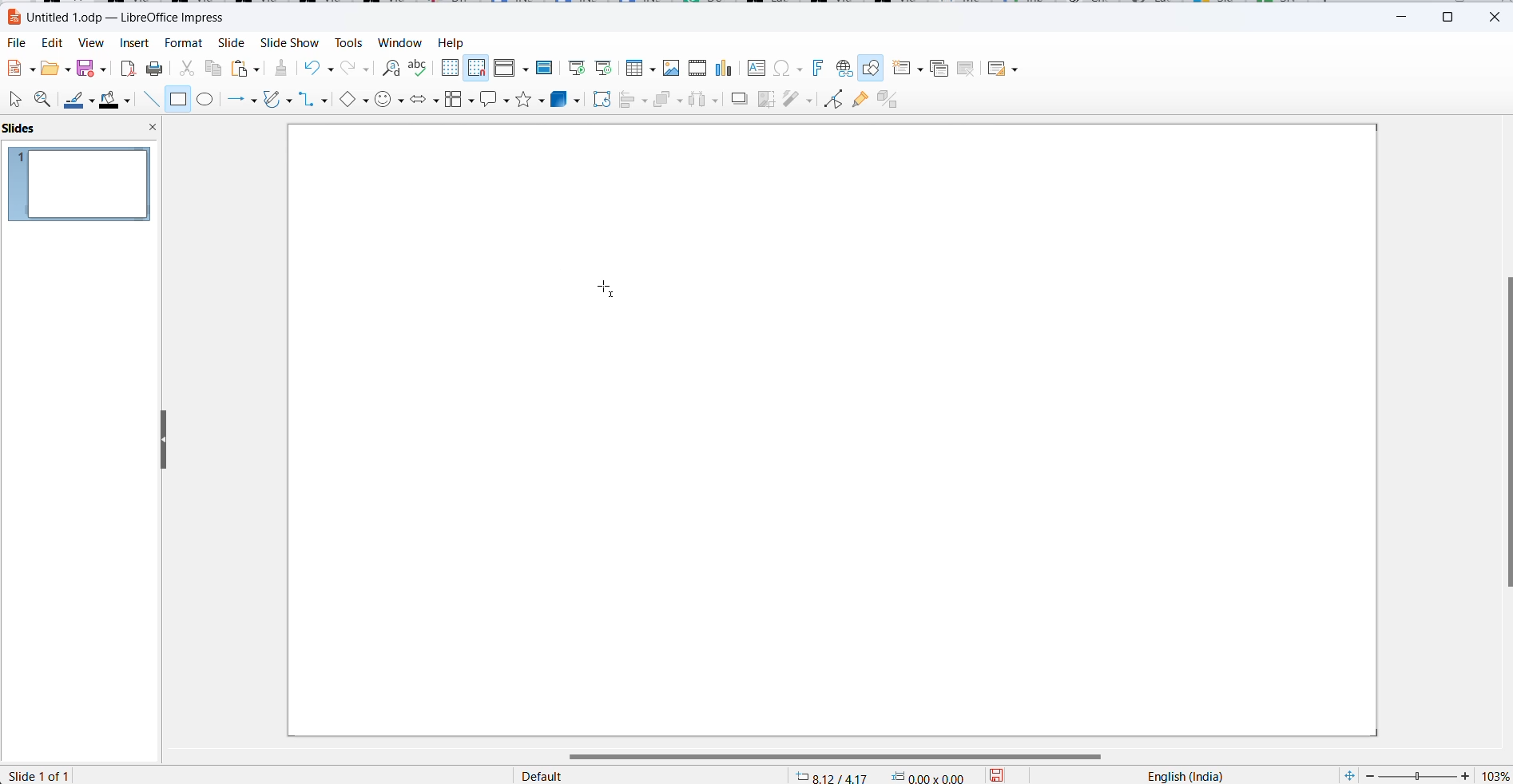 This screenshot has width=1513, height=784. Describe the element at coordinates (244, 101) in the screenshot. I see `line and arrows` at that location.